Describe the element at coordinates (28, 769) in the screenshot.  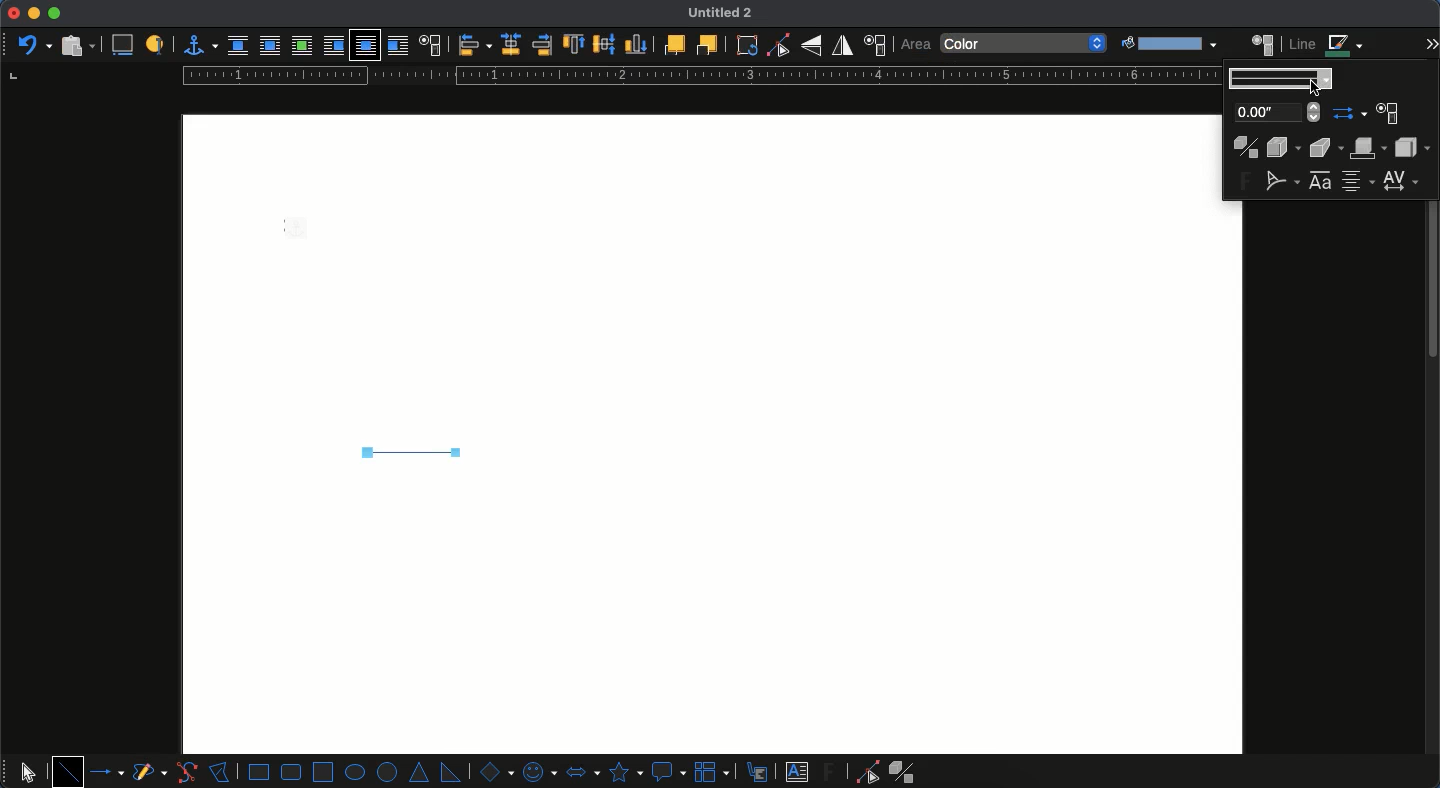
I see `select` at that location.